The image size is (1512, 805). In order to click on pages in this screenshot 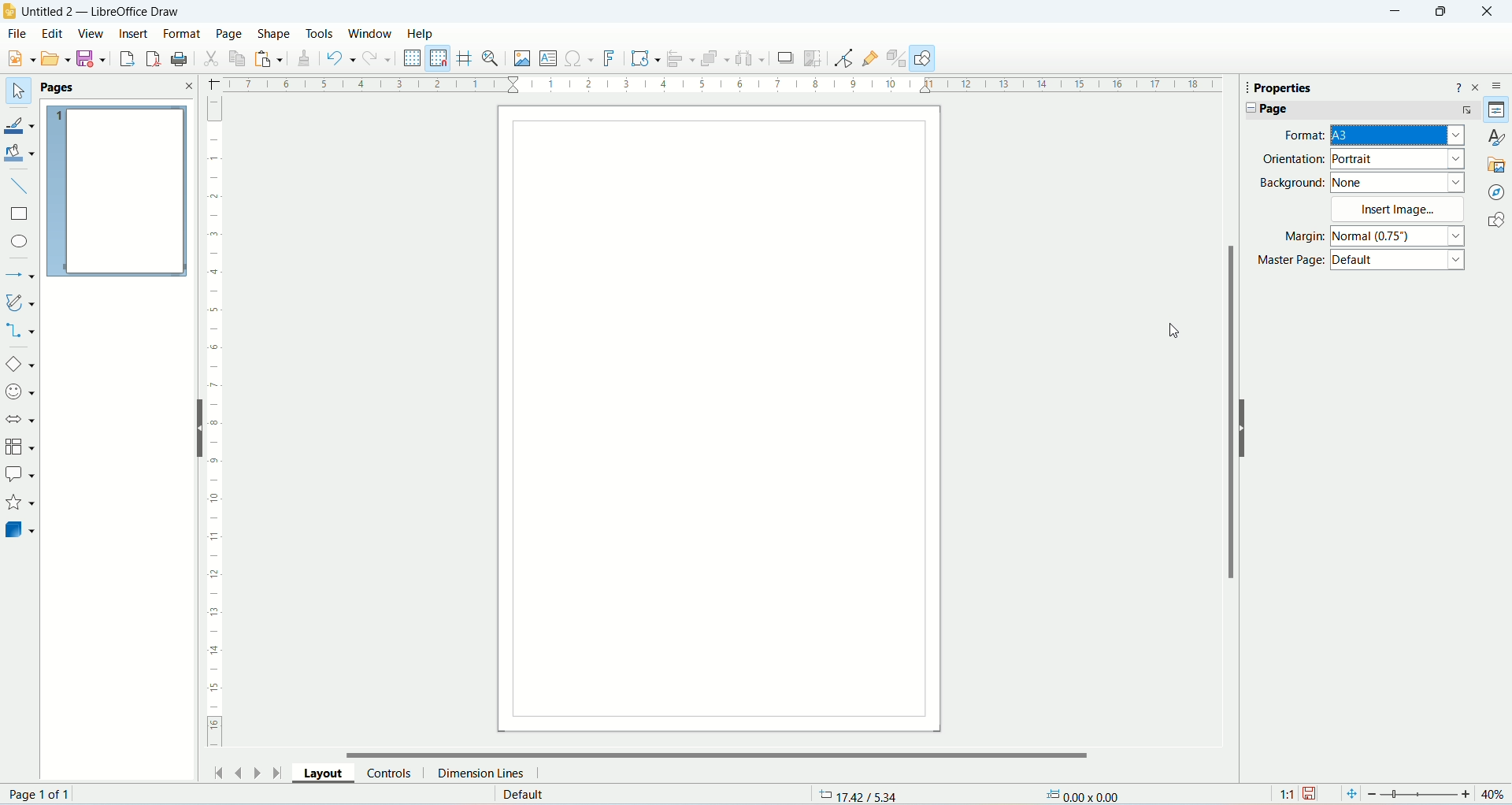, I will do `click(117, 184)`.